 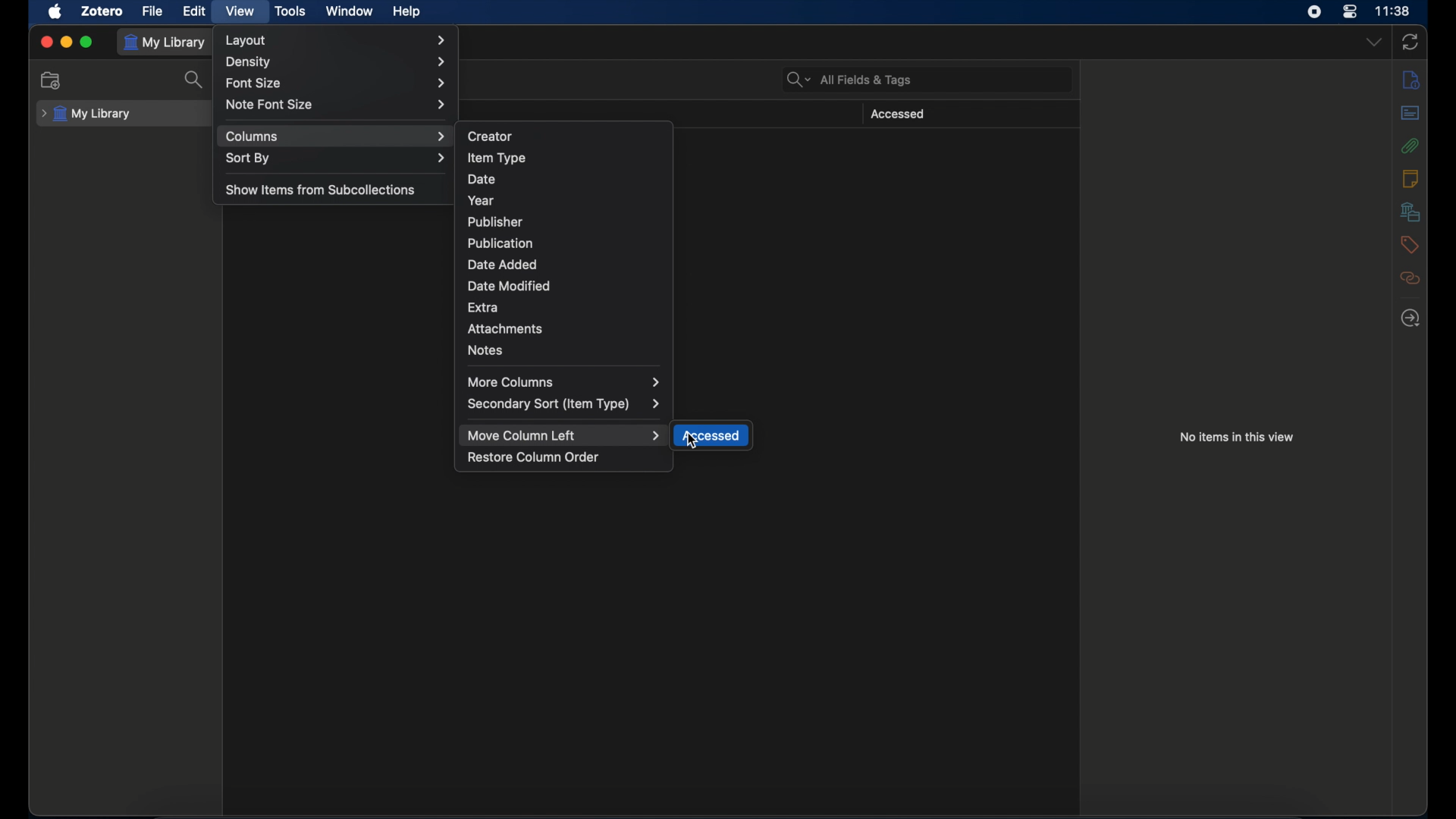 I want to click on item type, so click(x=496, y=158).